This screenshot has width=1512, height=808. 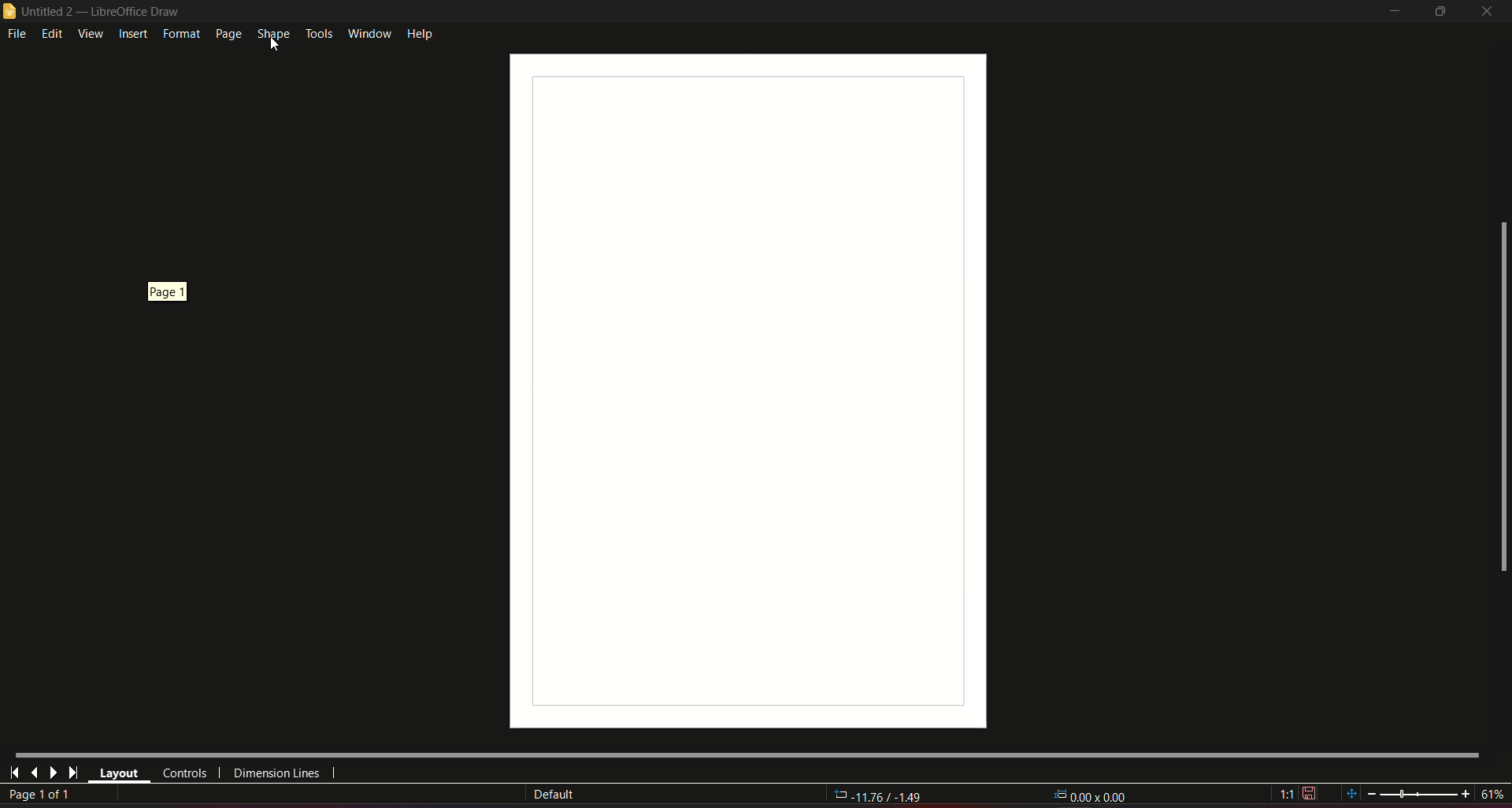 What do you see at coordinates (1390, 12) in the screenshot?
I see `minimize` at bounding box center [1390, 12].